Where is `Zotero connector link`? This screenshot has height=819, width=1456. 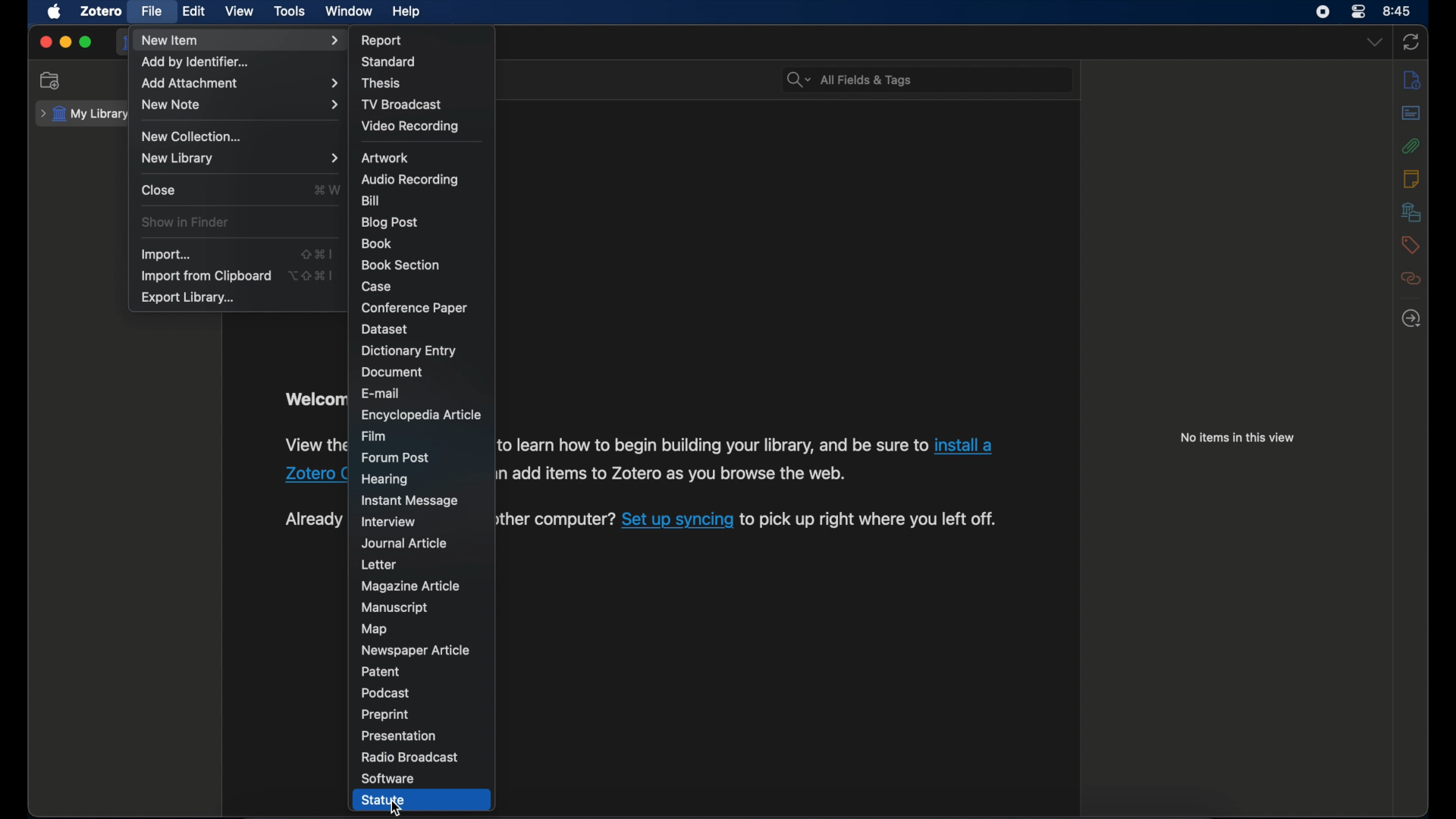
Zotero connector link is located at coordinates (964, 445).